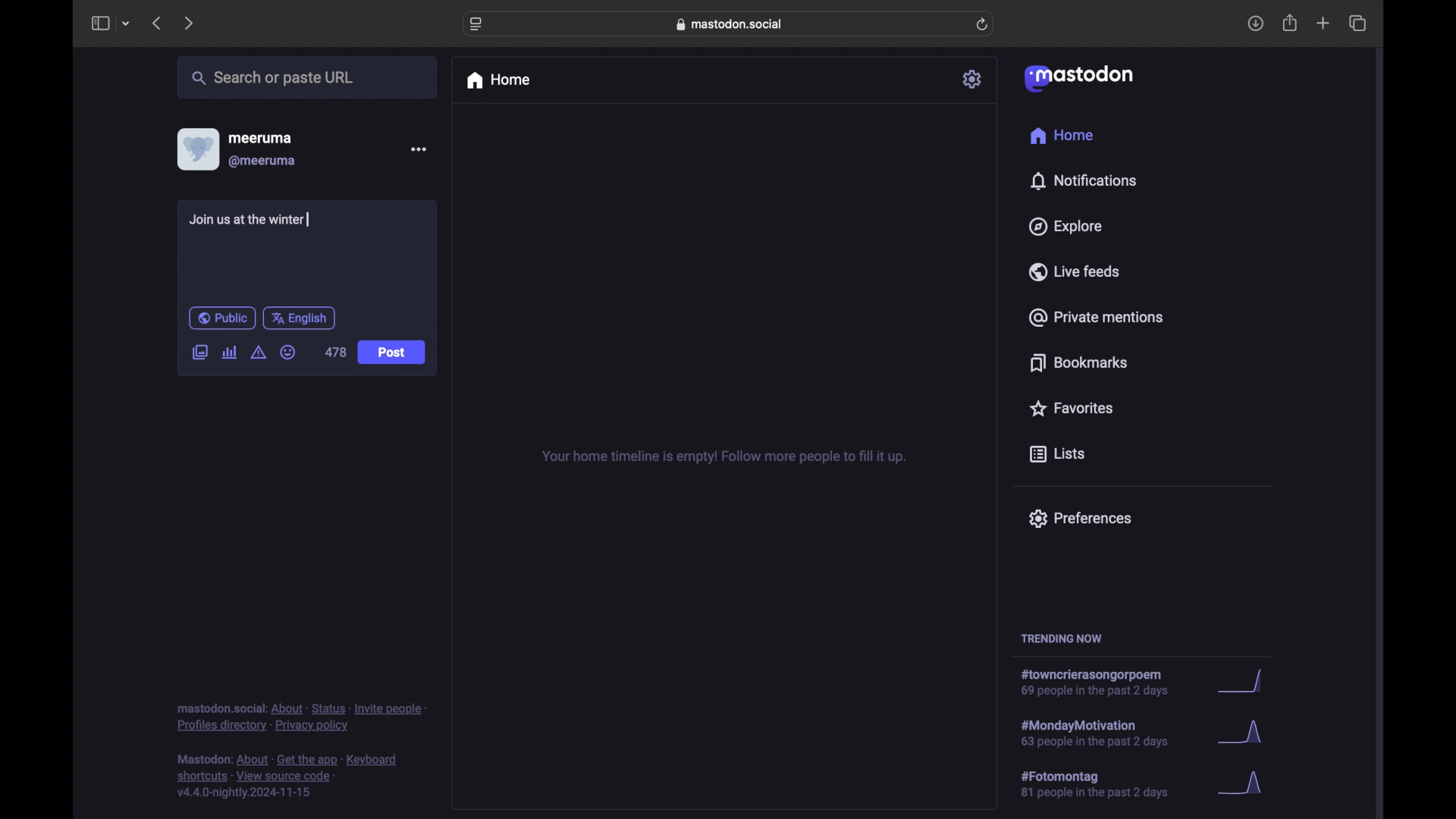 This screenshot has width=1456, height=819. What do you see at coordinates (99, 23) in the screenshot?
I see `sidebar` at bounding box center [99, 23].